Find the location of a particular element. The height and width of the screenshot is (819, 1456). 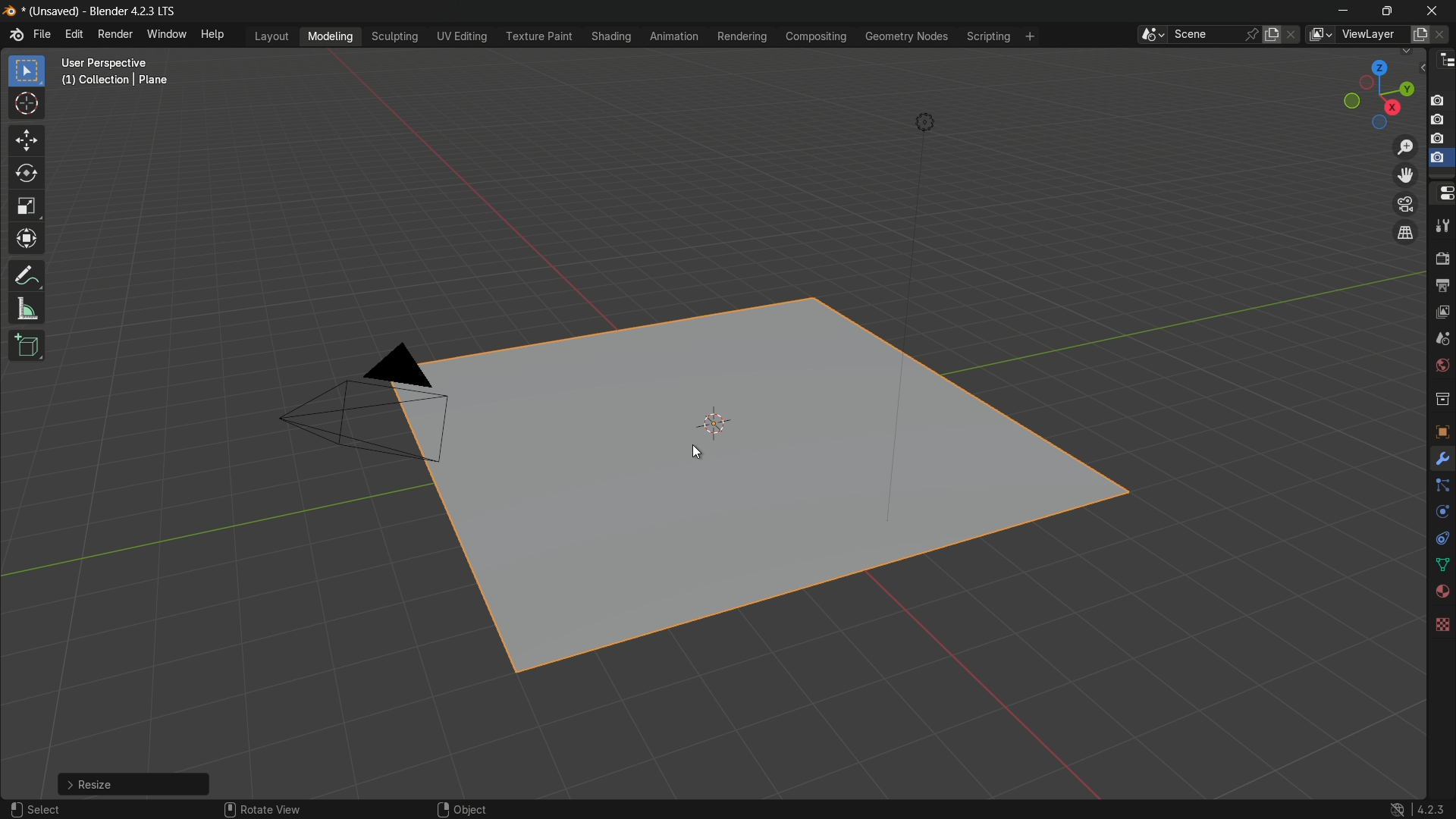

move view is located at coordinates (1406, 176).